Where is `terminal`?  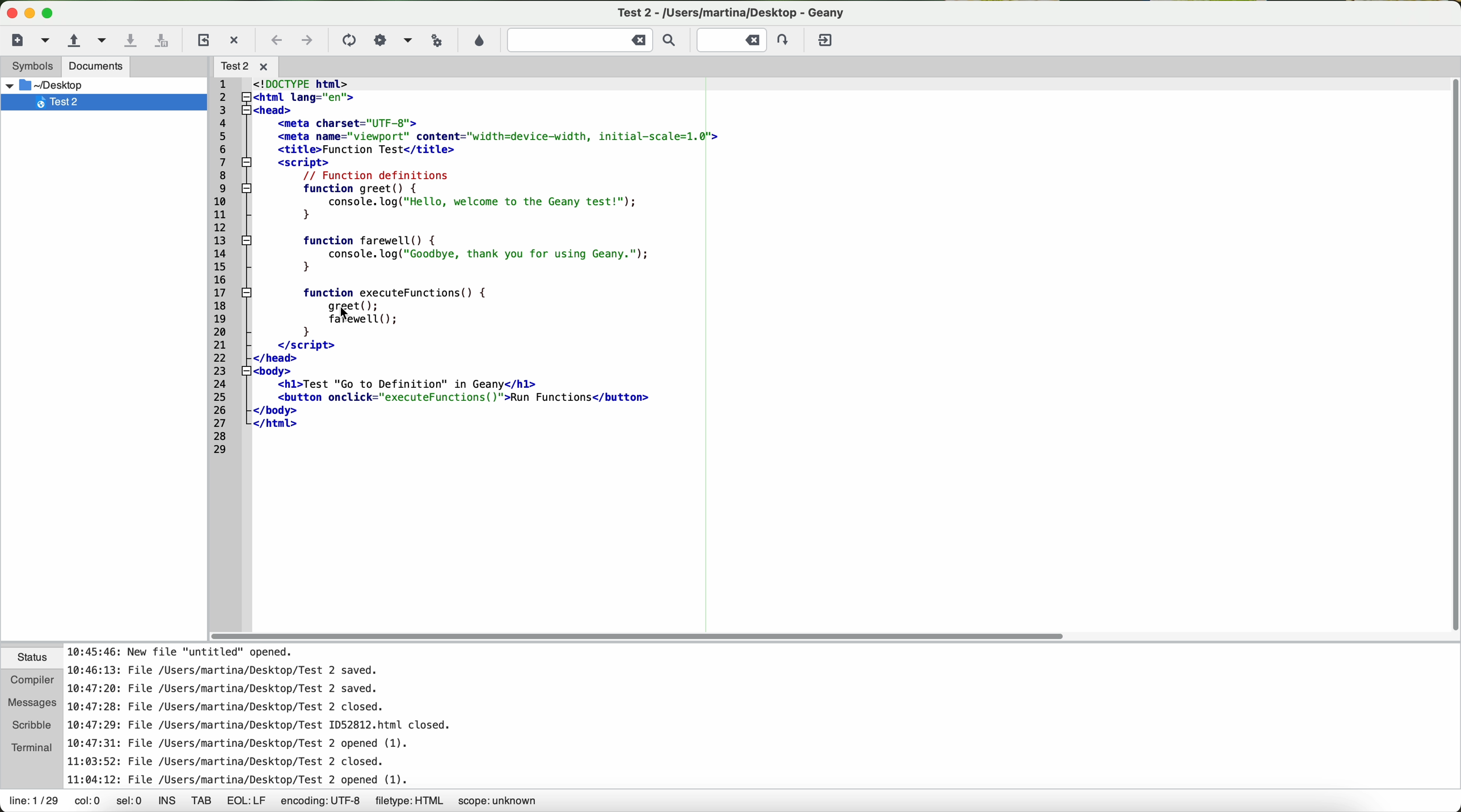
terminal is located at coordinates (29, 746).